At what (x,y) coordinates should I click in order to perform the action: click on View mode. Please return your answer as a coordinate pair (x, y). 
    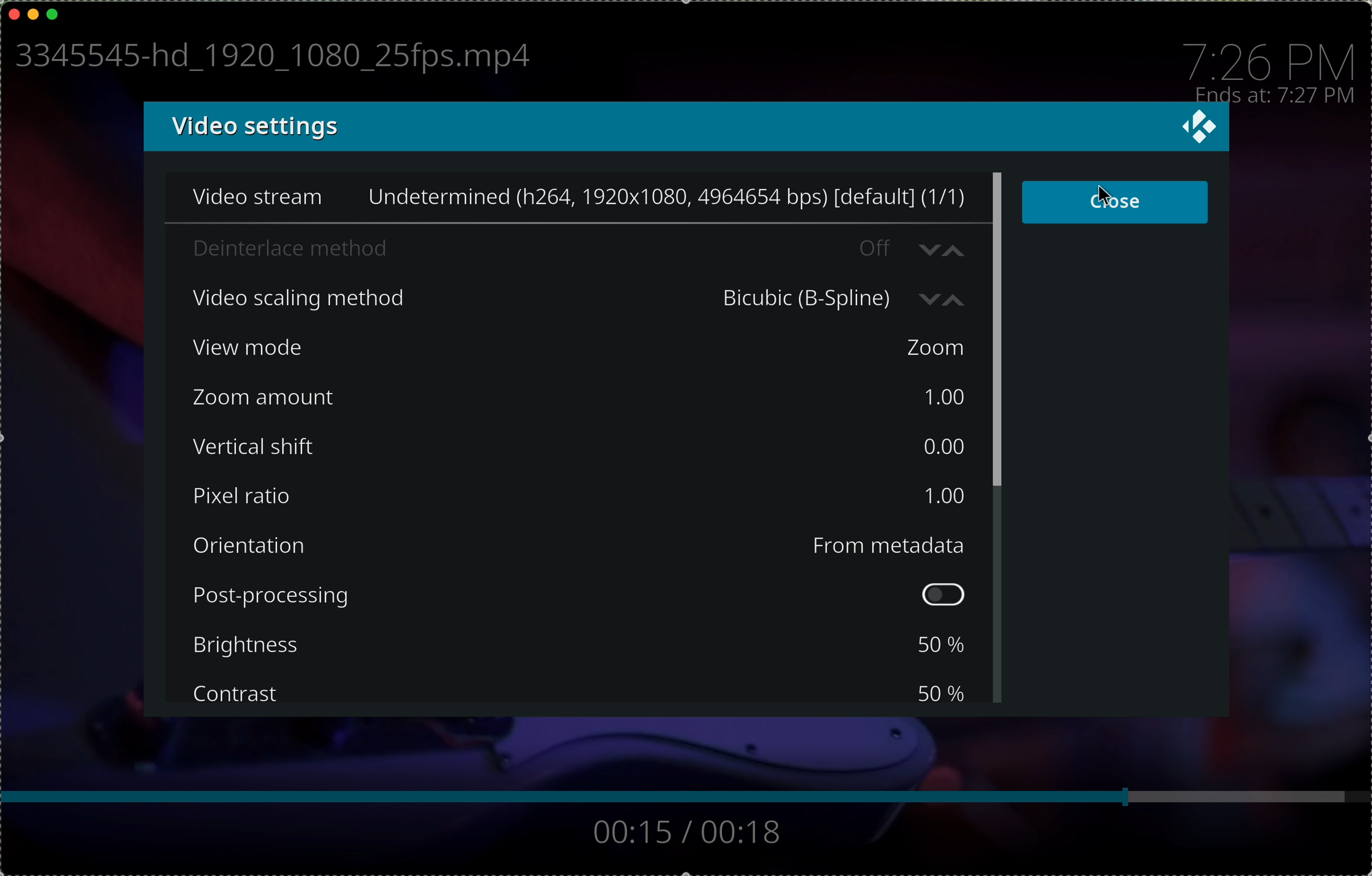
    Looking at the image, I should click on (287, 348).